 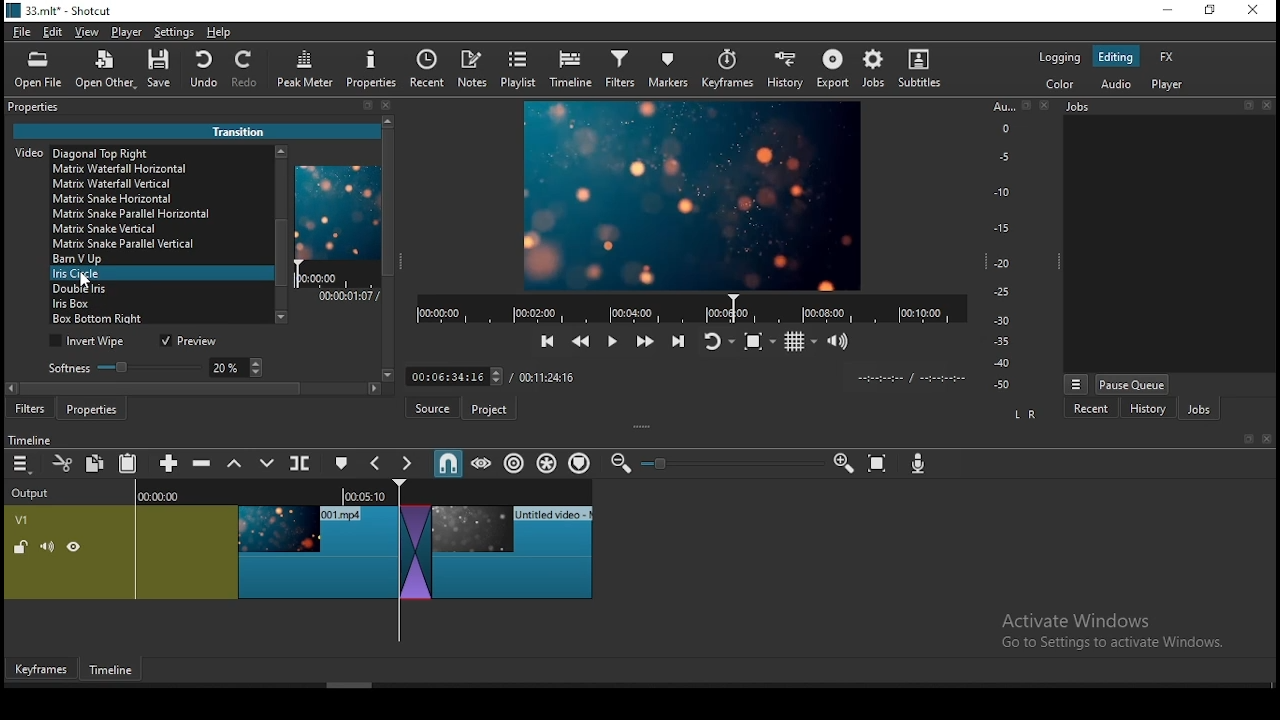 I want to click on next marker, so click(x=408, y=464).